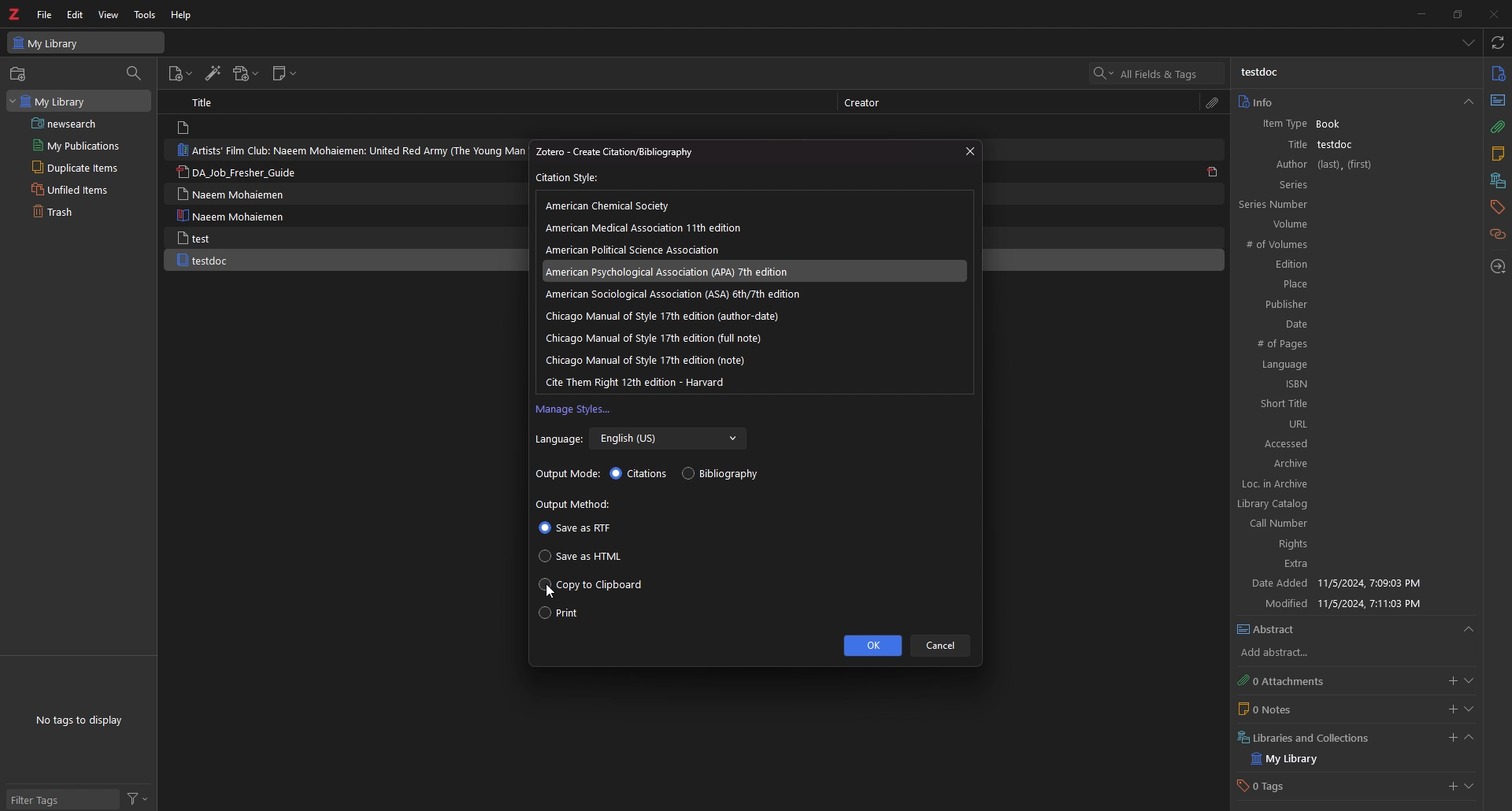  I want to click on abstract, so click(1496, 99).